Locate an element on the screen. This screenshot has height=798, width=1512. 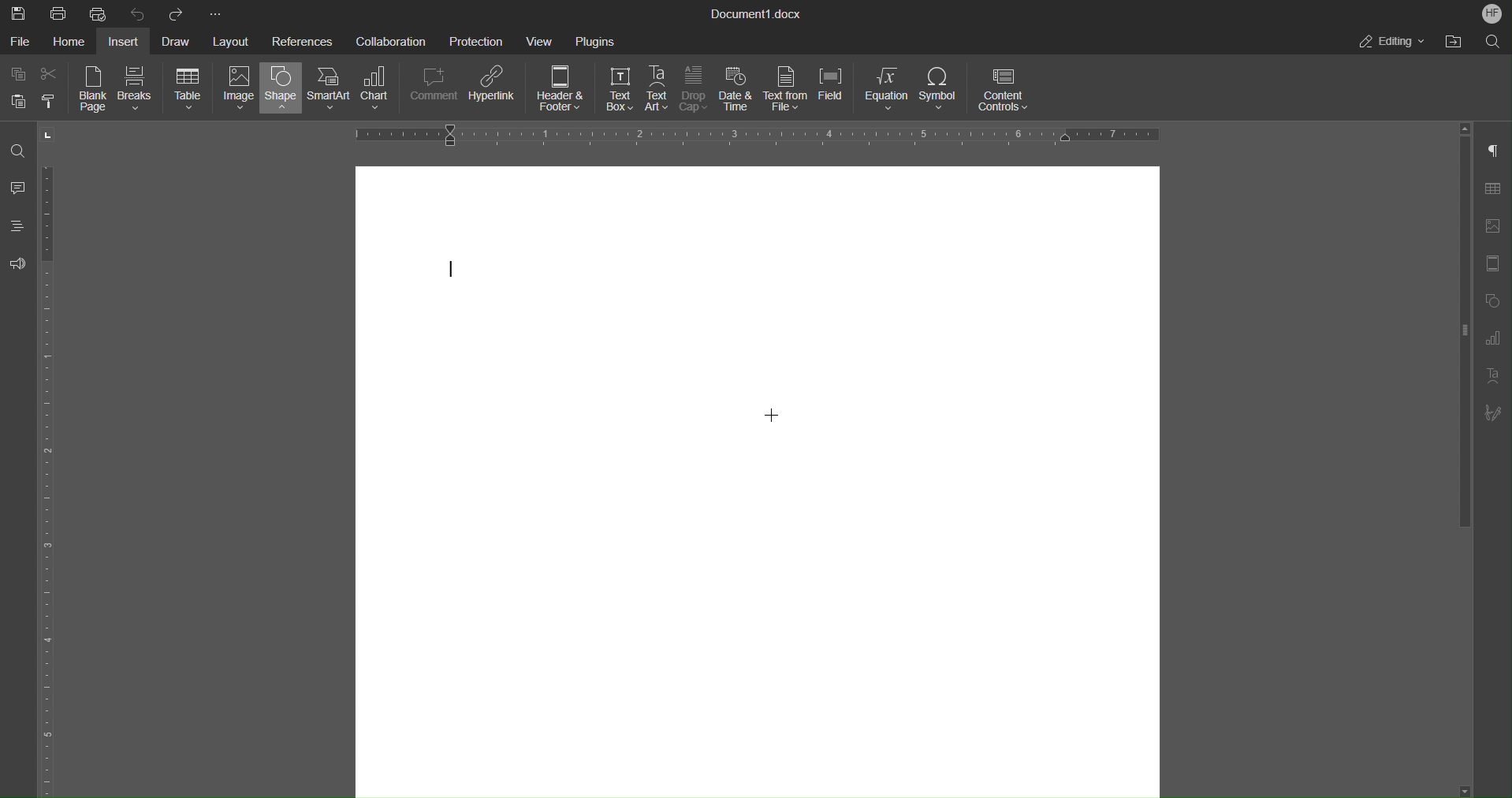
Symbol is located at coordinates (941, 91).